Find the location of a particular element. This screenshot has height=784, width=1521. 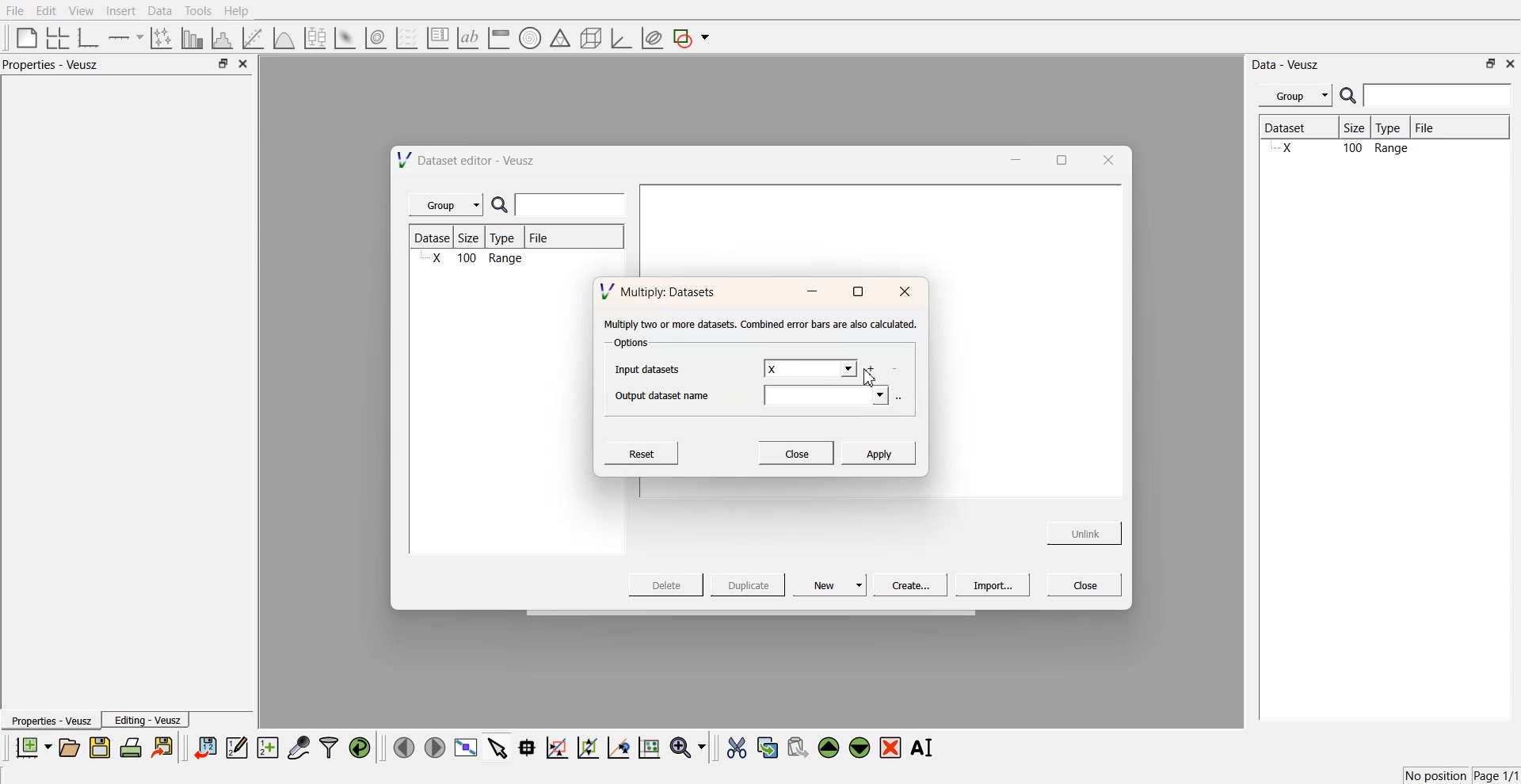

remove the selected widgets is located at coordinates (892, 748).